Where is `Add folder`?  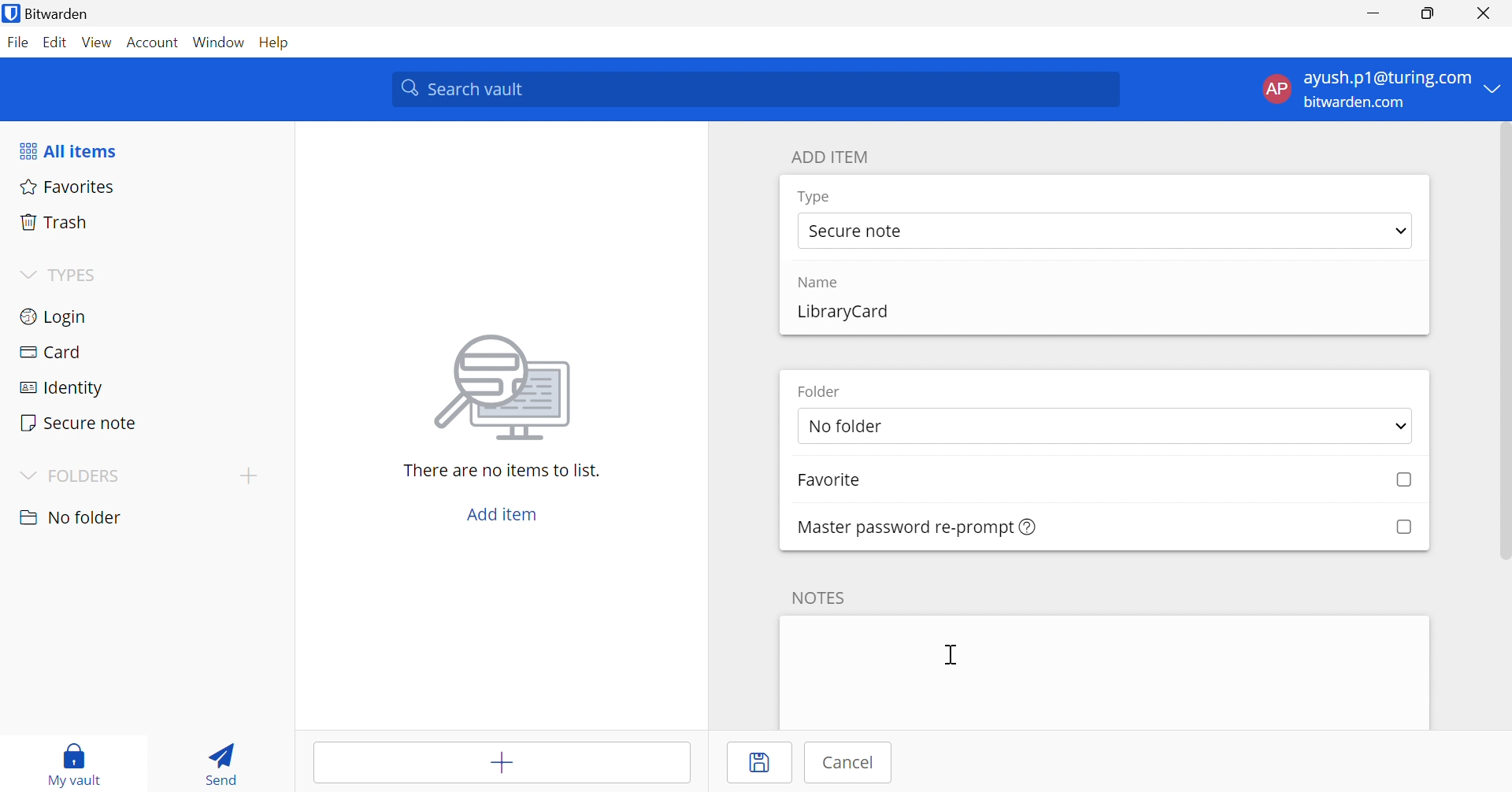 Add folder is located at coordinates (246, 475).